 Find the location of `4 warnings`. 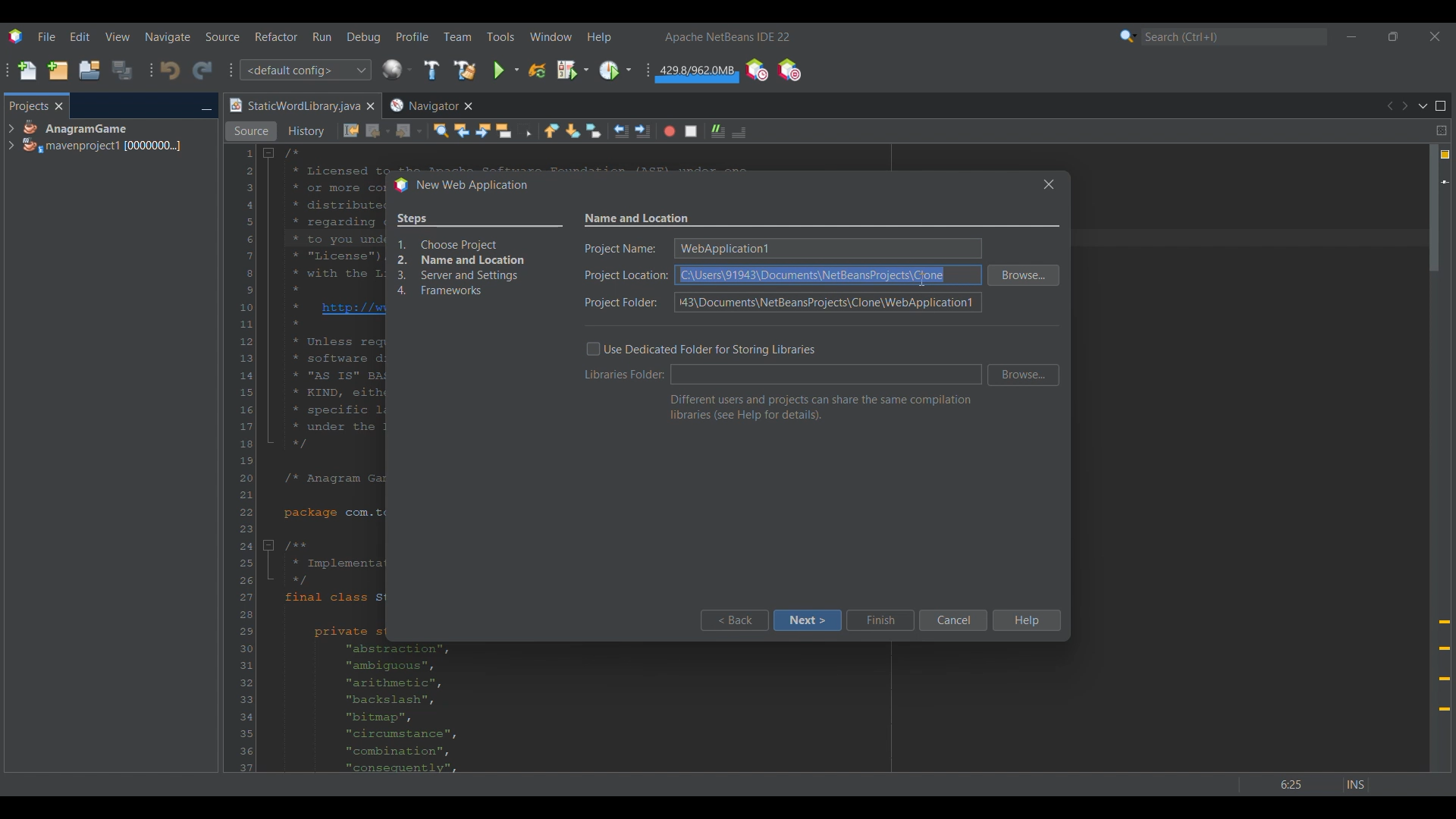

4 warnings is located at coordinates (1445, 155).